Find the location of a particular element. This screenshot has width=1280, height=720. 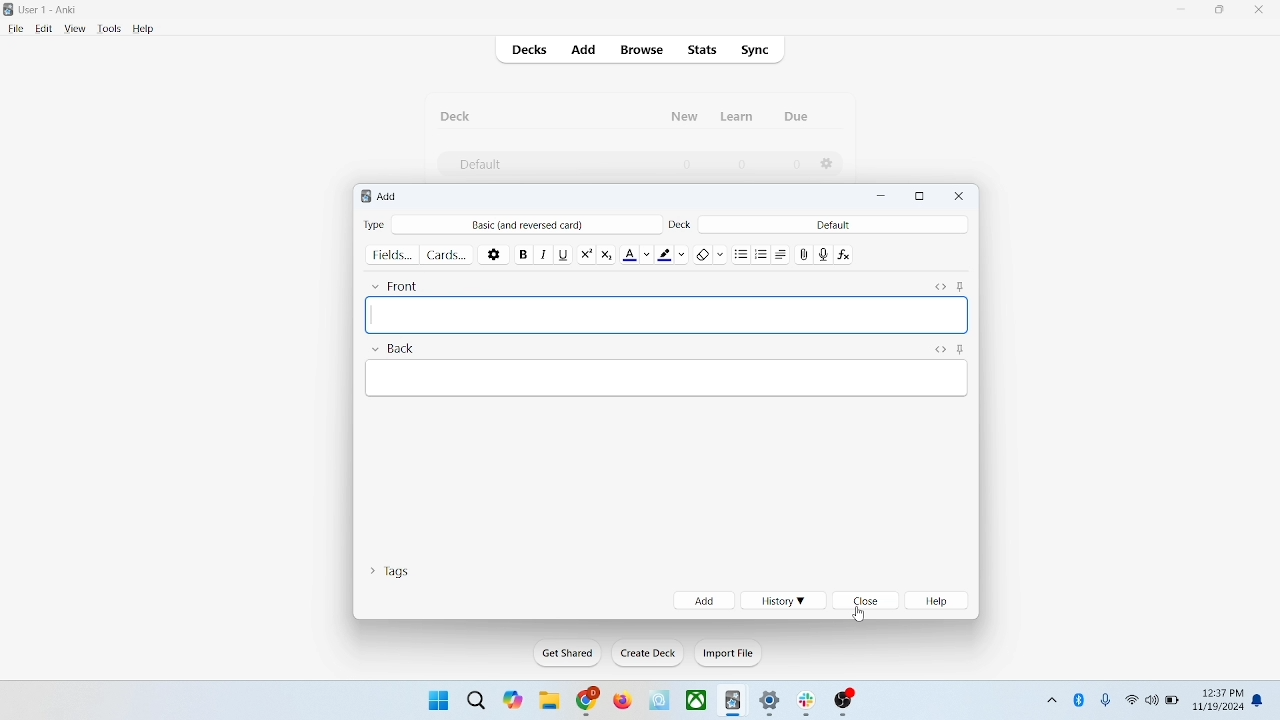

tools is located at coordinates (108, 29).